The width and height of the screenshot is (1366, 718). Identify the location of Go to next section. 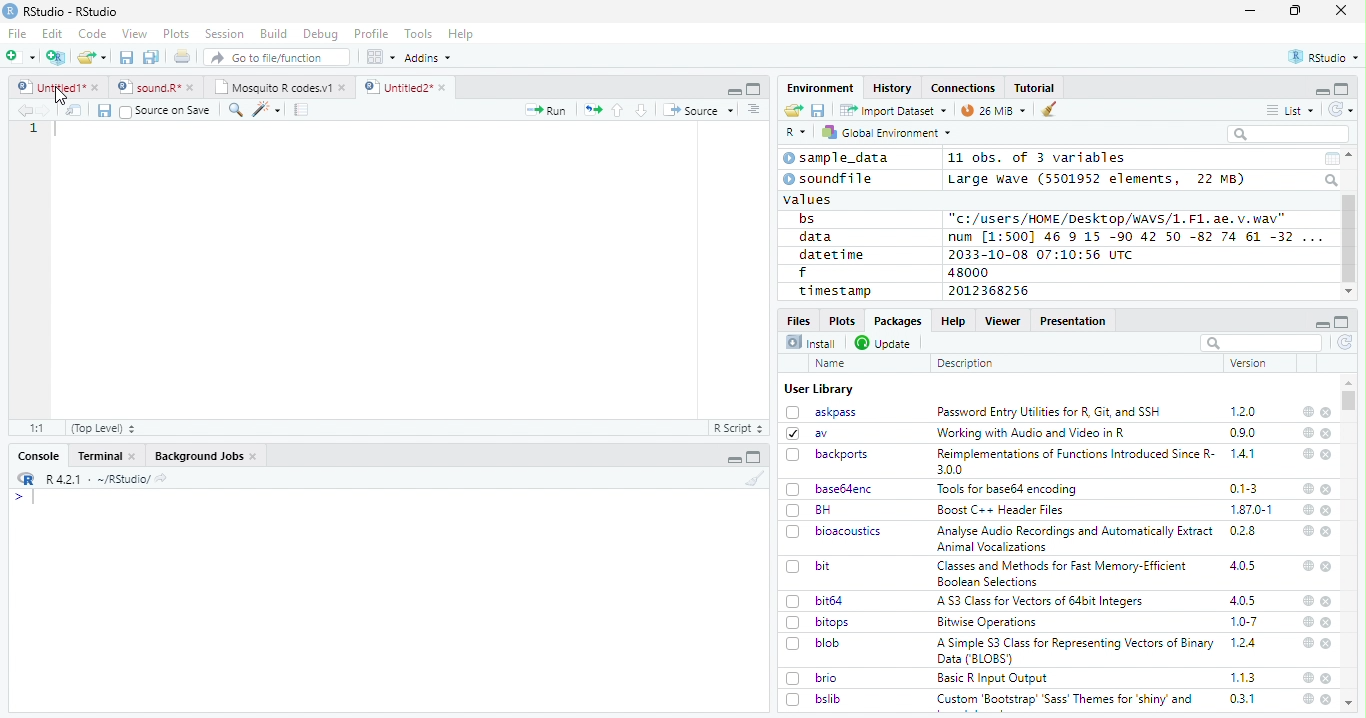
(644, 110).